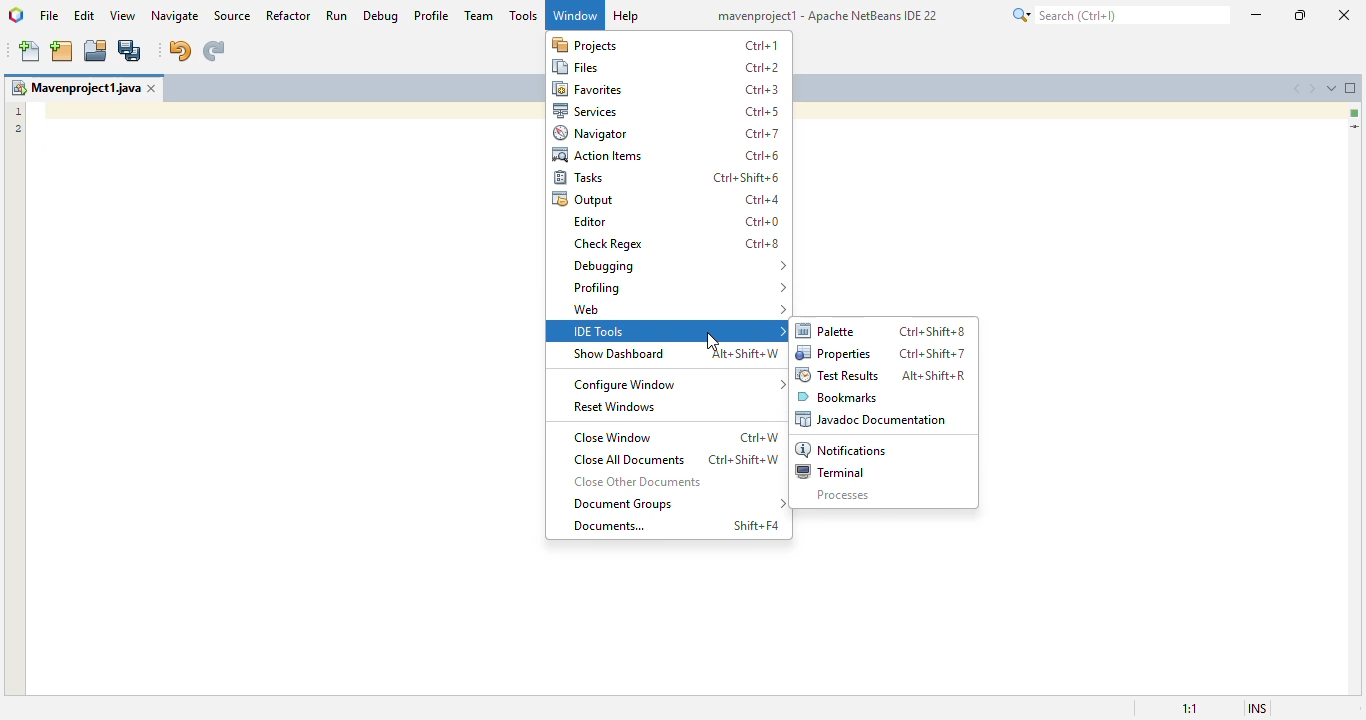 Image resolution: width=1366 pixels, height=720 pixels. Describe the element at coordinates (130, 52) in the screenshot. I see `save all` at that location.